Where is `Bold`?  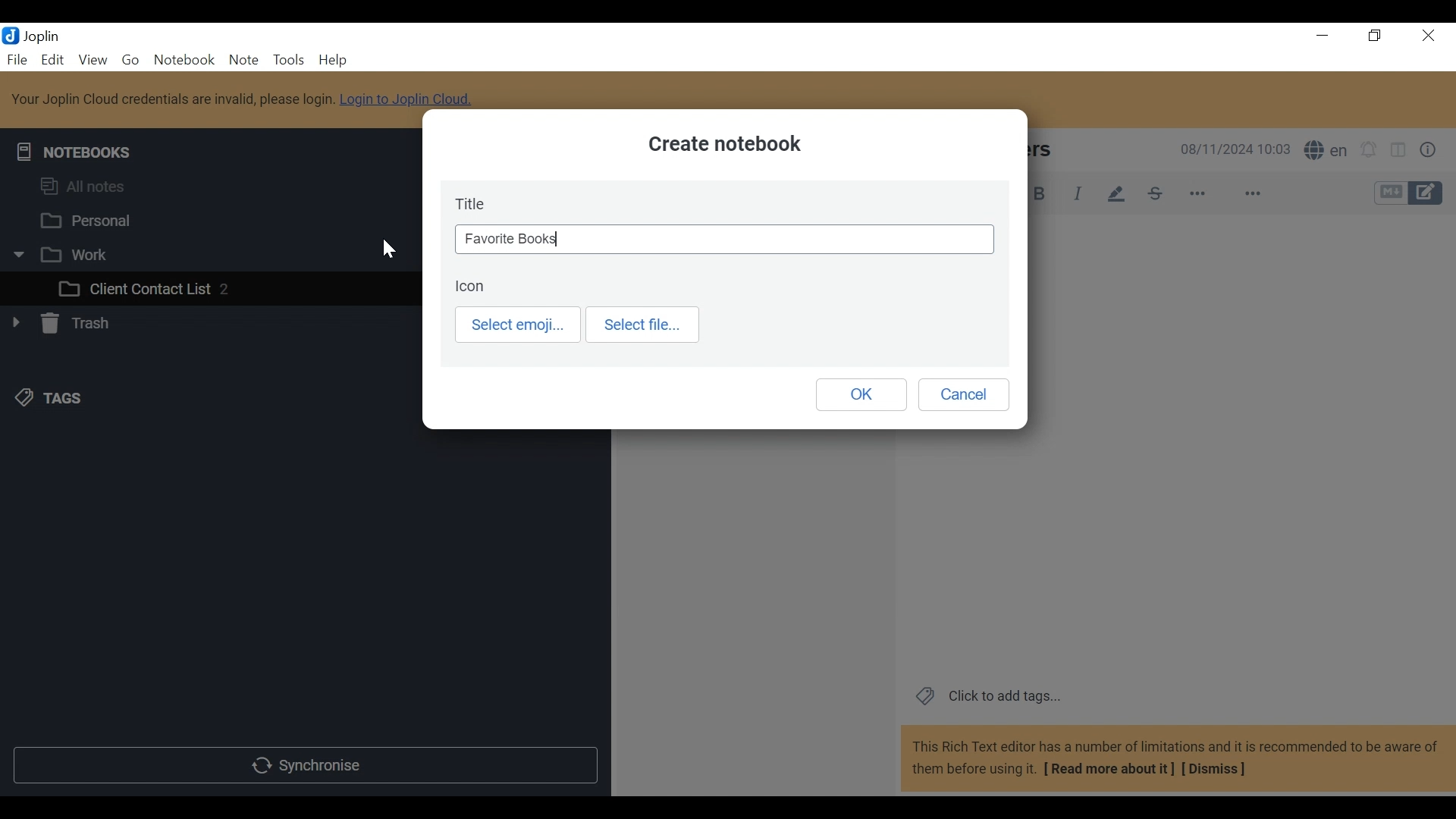
Bold is located at coordinates (1040, 194).